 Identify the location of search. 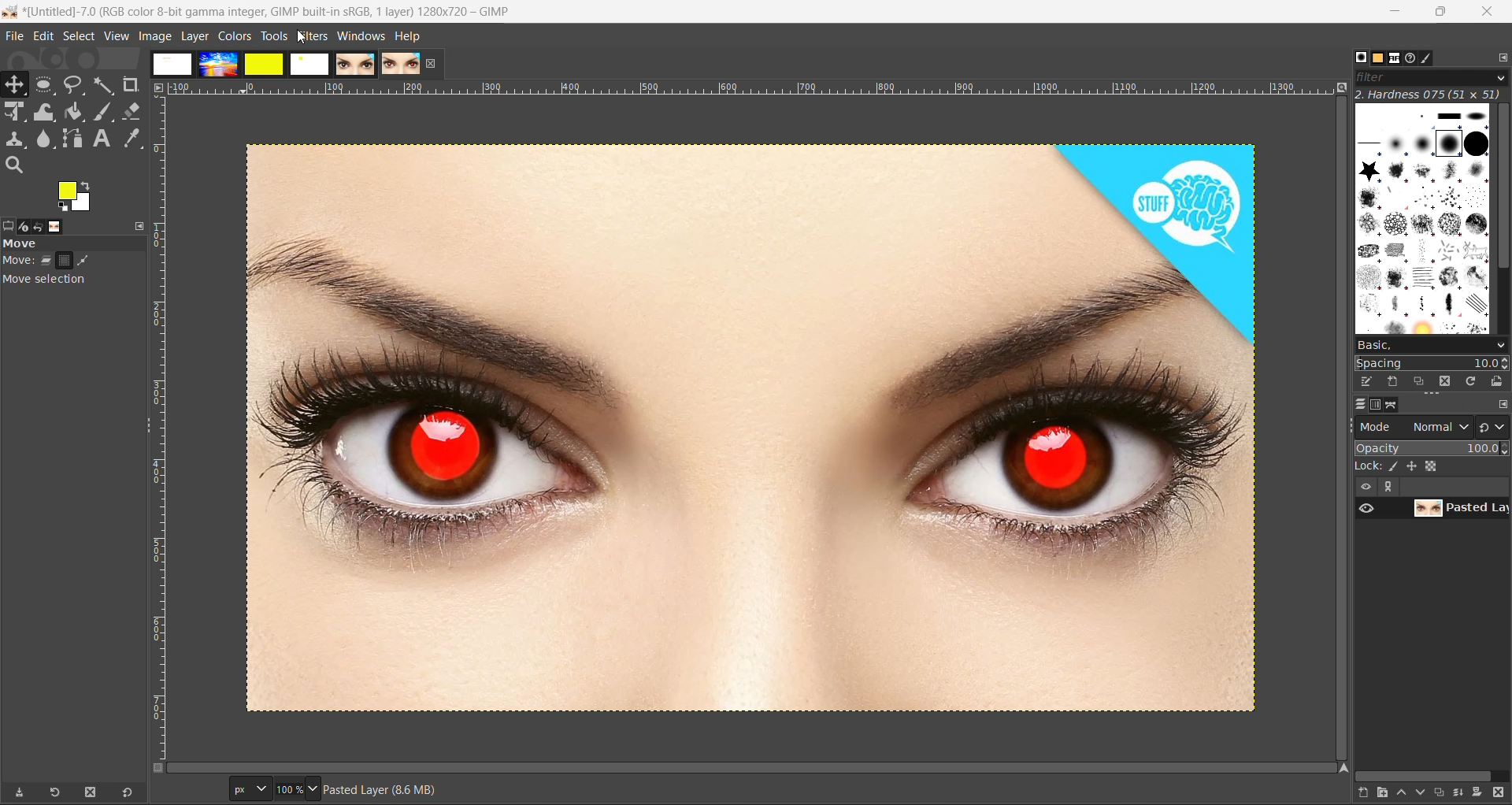
(13, 165).